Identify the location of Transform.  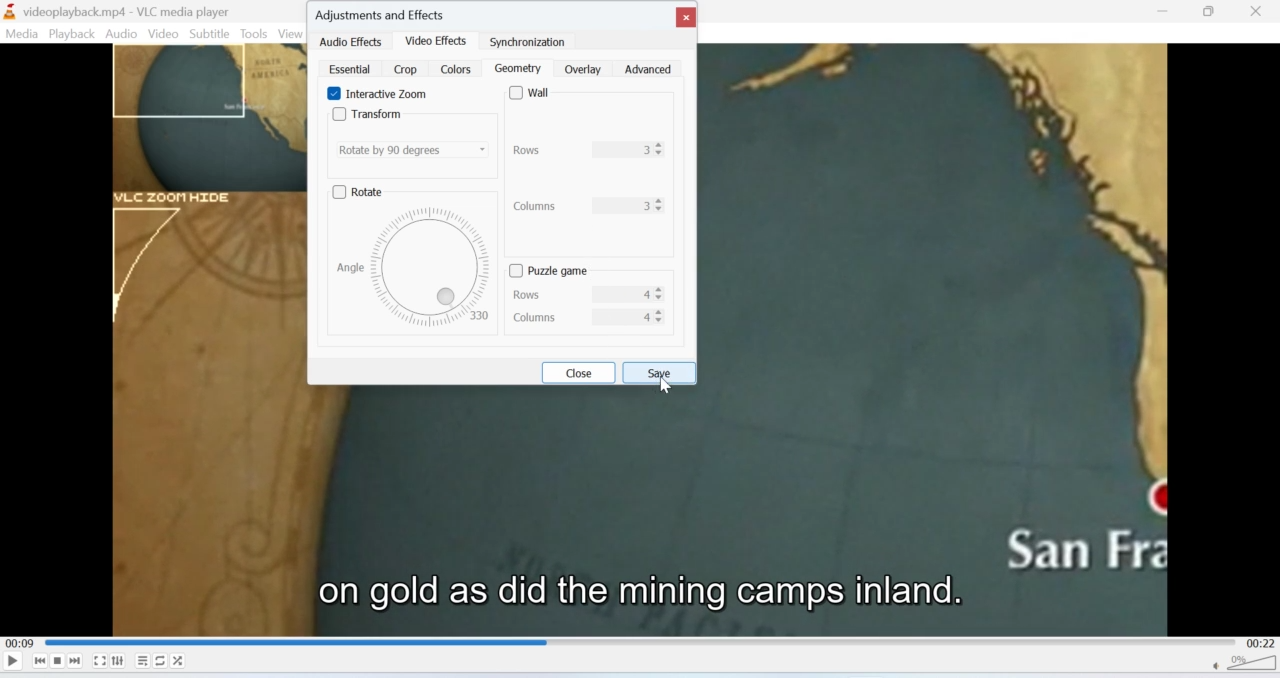
(367, 114).